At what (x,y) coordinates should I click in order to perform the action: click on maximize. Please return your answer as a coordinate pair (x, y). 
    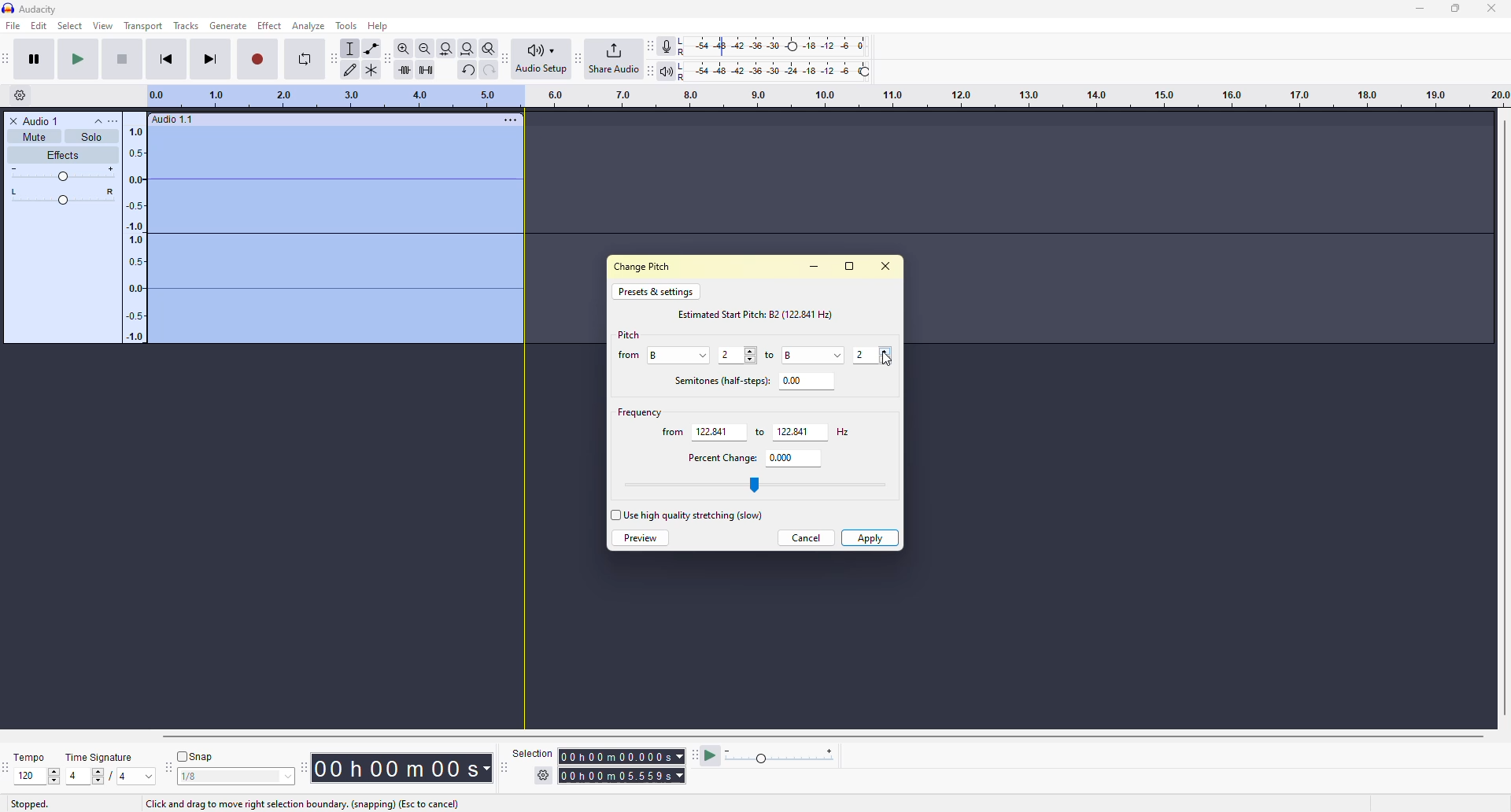
    Looking at the image, I should click on (1455, 7).